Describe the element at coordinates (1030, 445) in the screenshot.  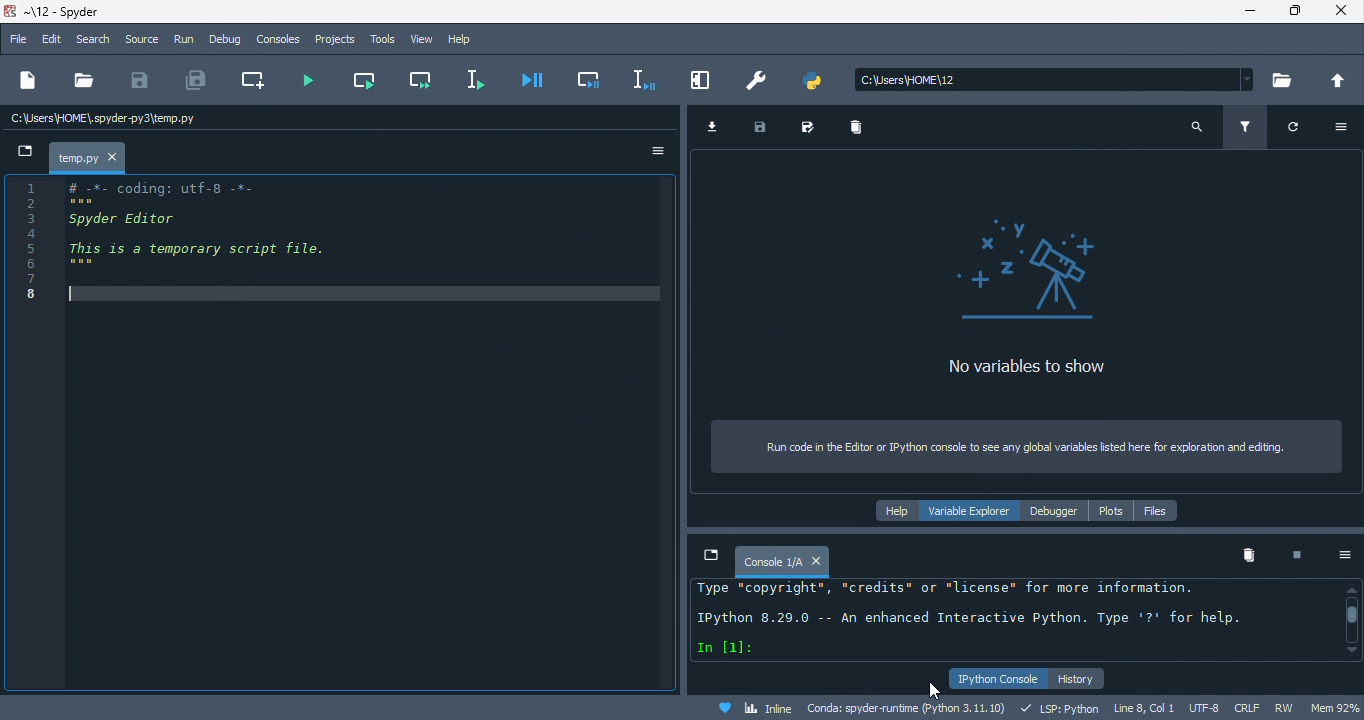
I see `run code in the editor` at that location.